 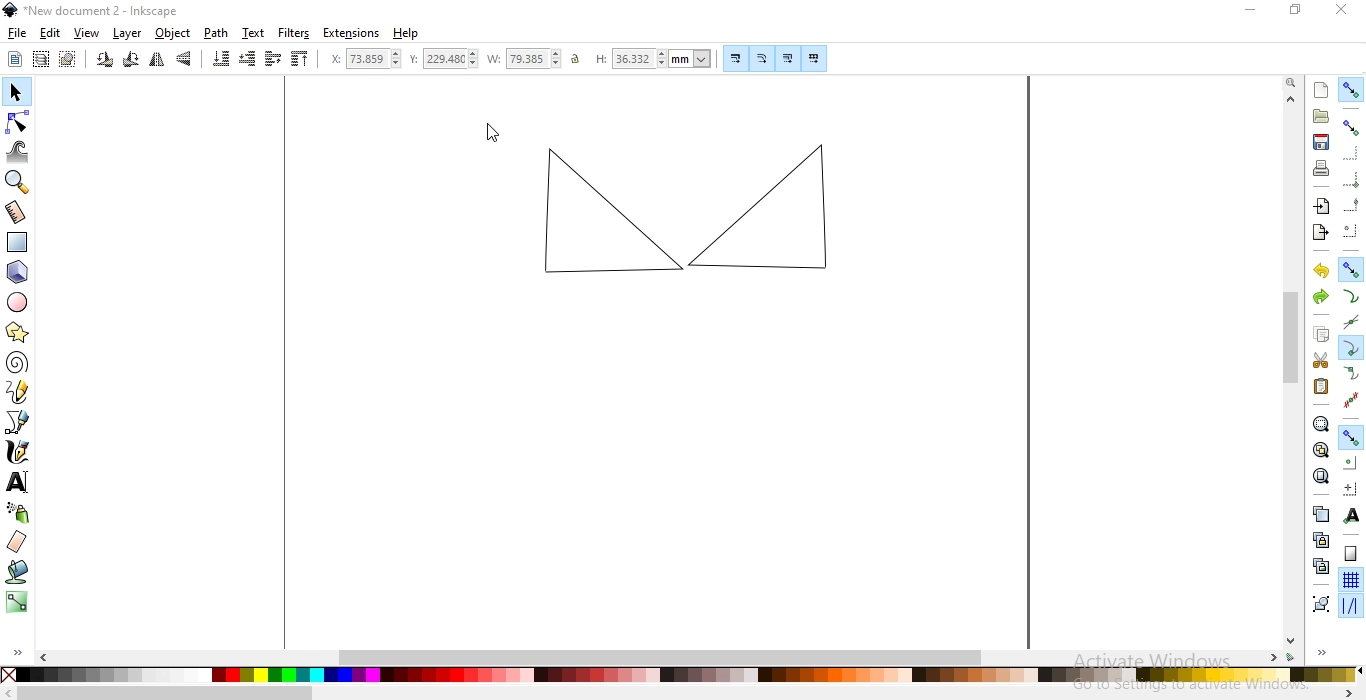 I want to click on view, so click(x=87, y=34).